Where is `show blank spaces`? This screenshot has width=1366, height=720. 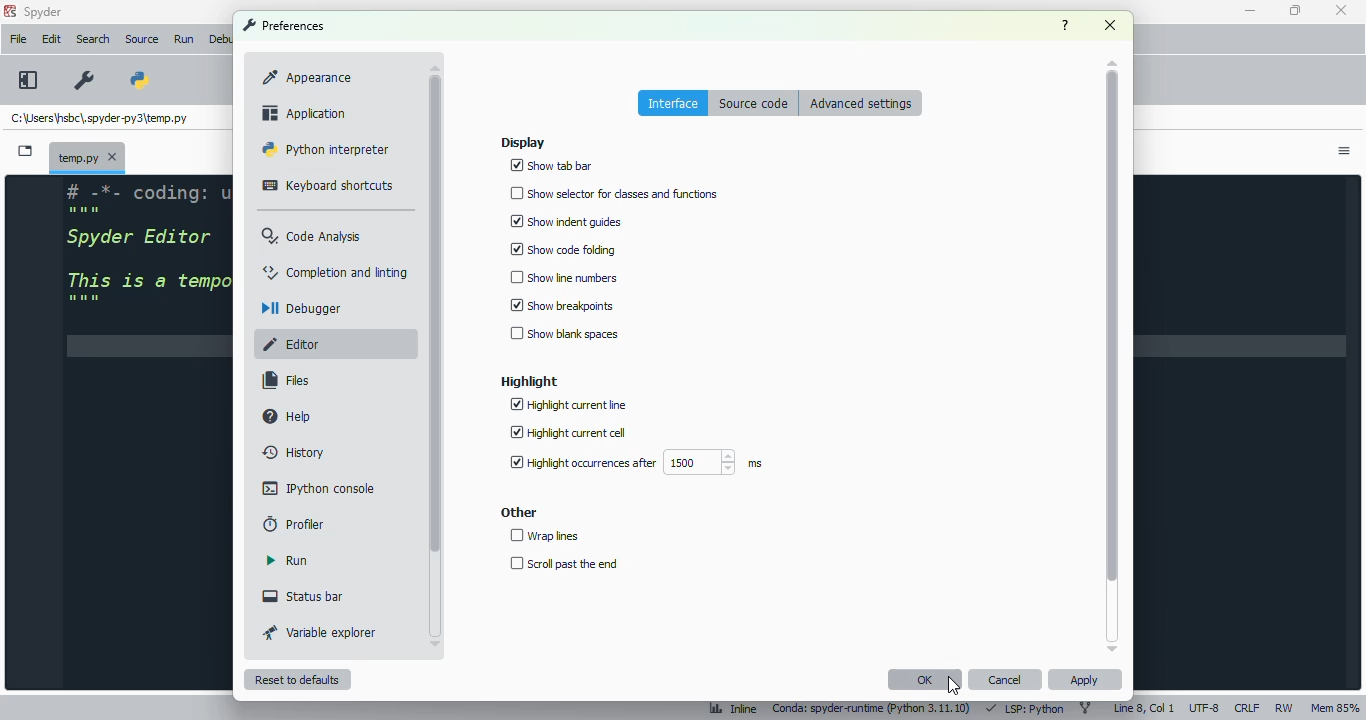 show blank spaces is located at coordinates (566, 334).